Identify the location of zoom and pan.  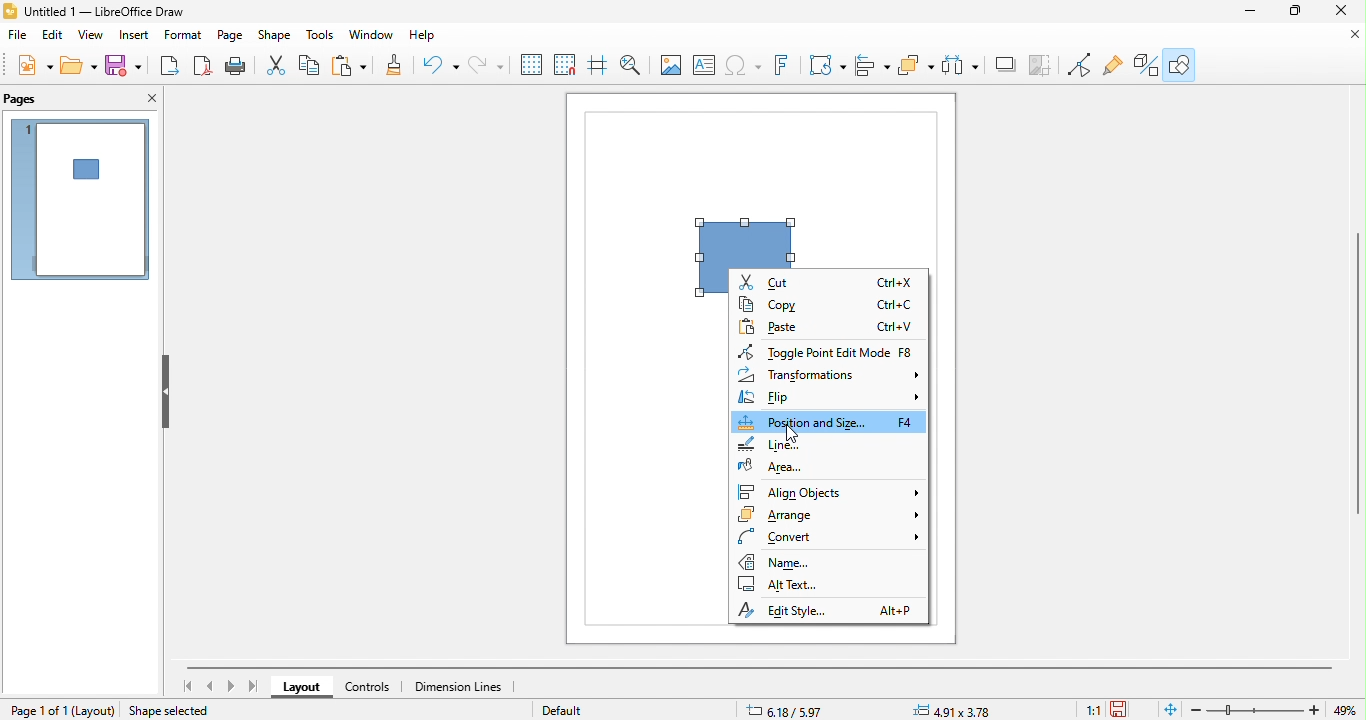
(636, 67).